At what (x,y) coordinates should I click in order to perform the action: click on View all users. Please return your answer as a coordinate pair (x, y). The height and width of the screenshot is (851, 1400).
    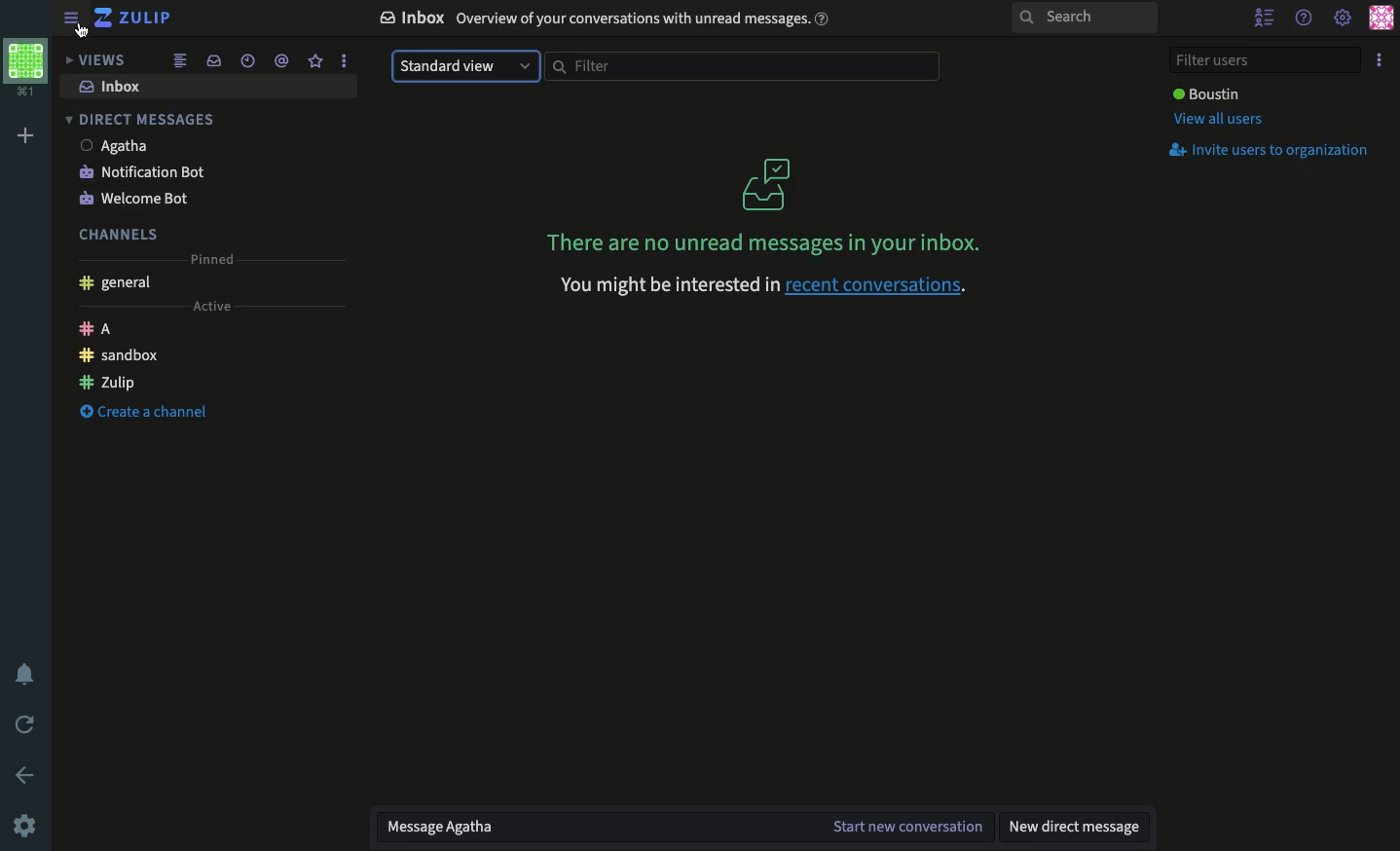
    Looking at the image, I should click on (1221, 120).